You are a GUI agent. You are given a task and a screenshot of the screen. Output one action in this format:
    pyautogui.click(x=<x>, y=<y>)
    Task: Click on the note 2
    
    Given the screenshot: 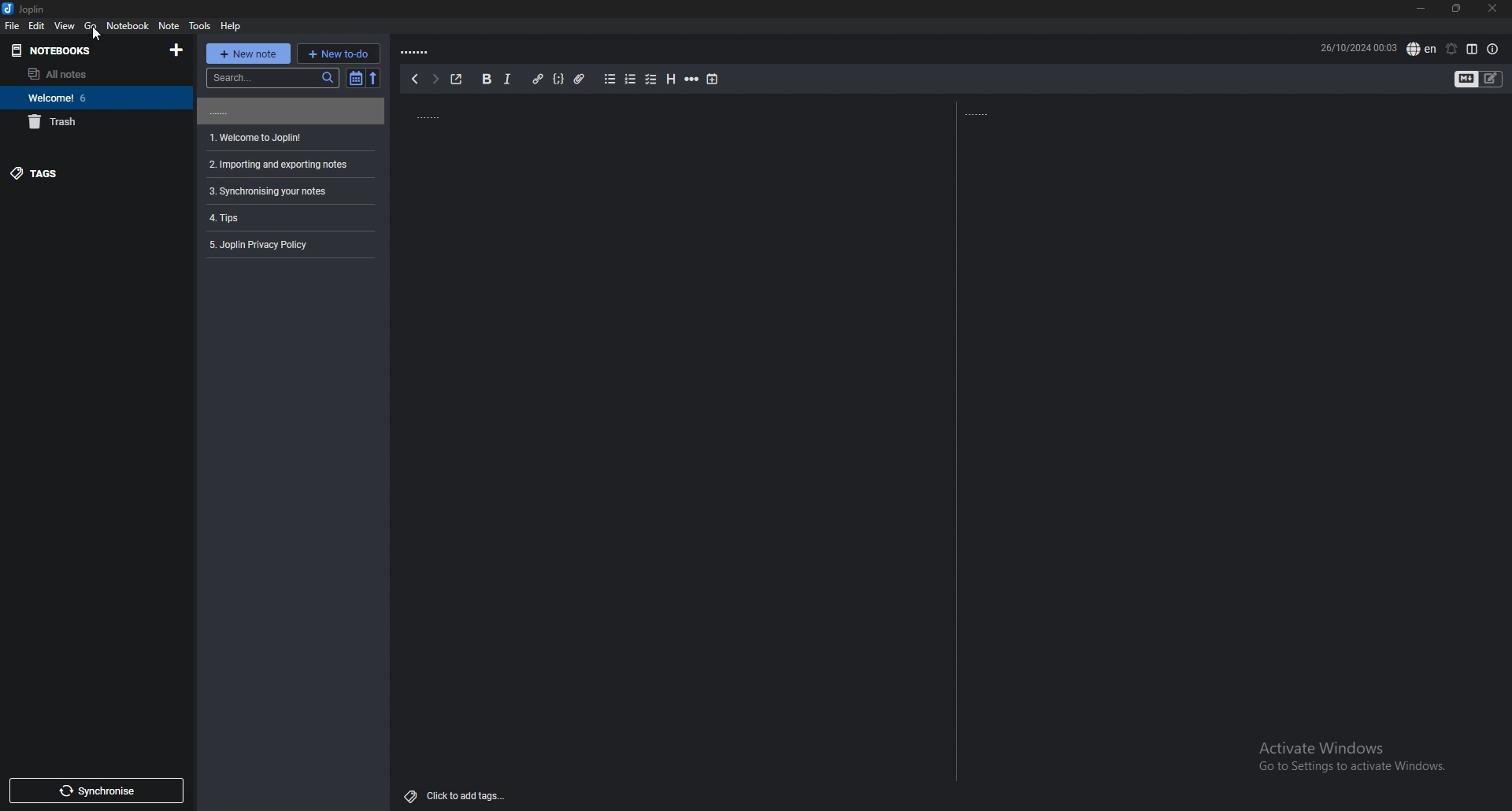 What is the action you would take?
    pyautogui.click(x=291, y=137)
    